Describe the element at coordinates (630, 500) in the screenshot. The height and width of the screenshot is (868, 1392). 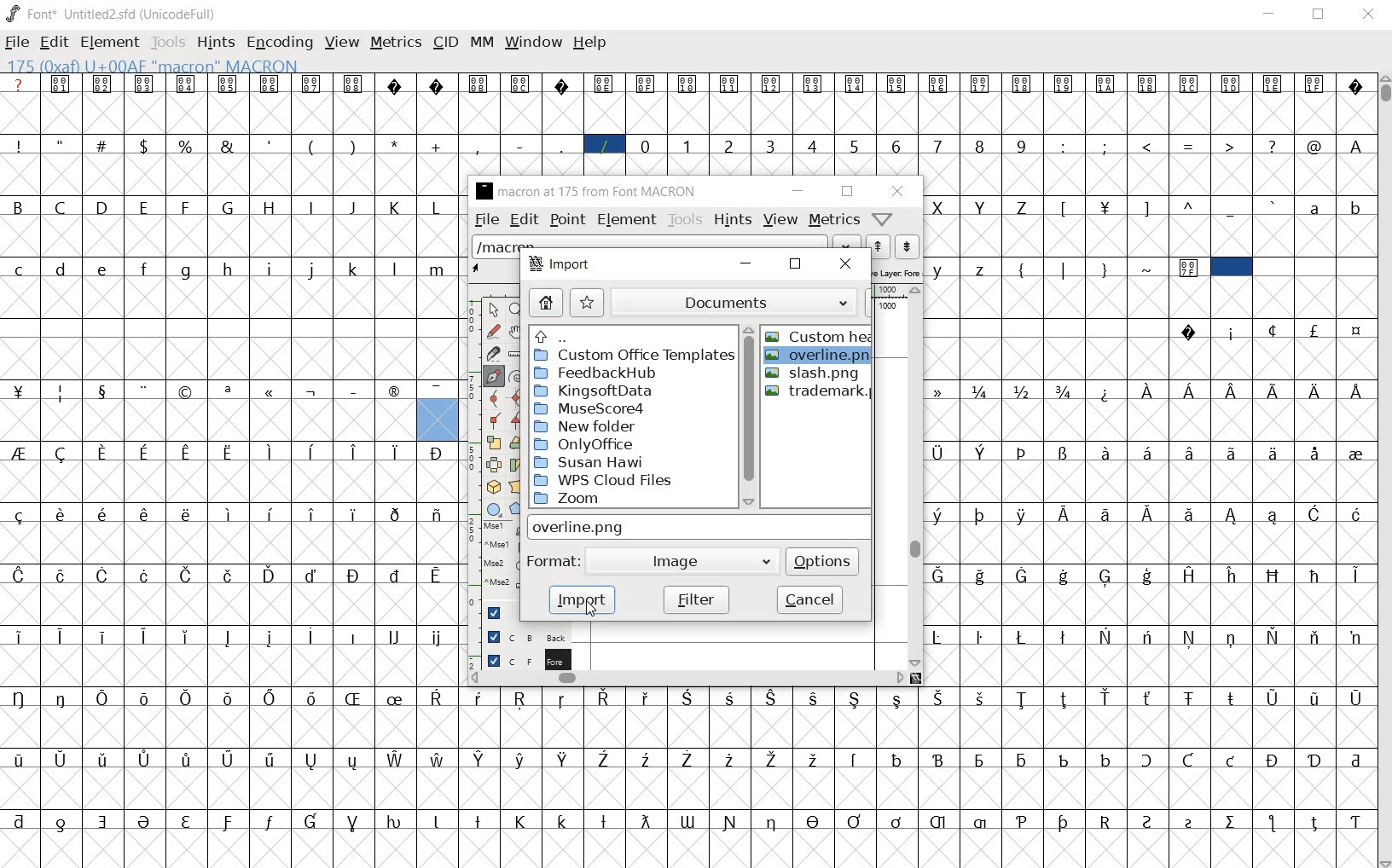
I see `zoom` at that location.